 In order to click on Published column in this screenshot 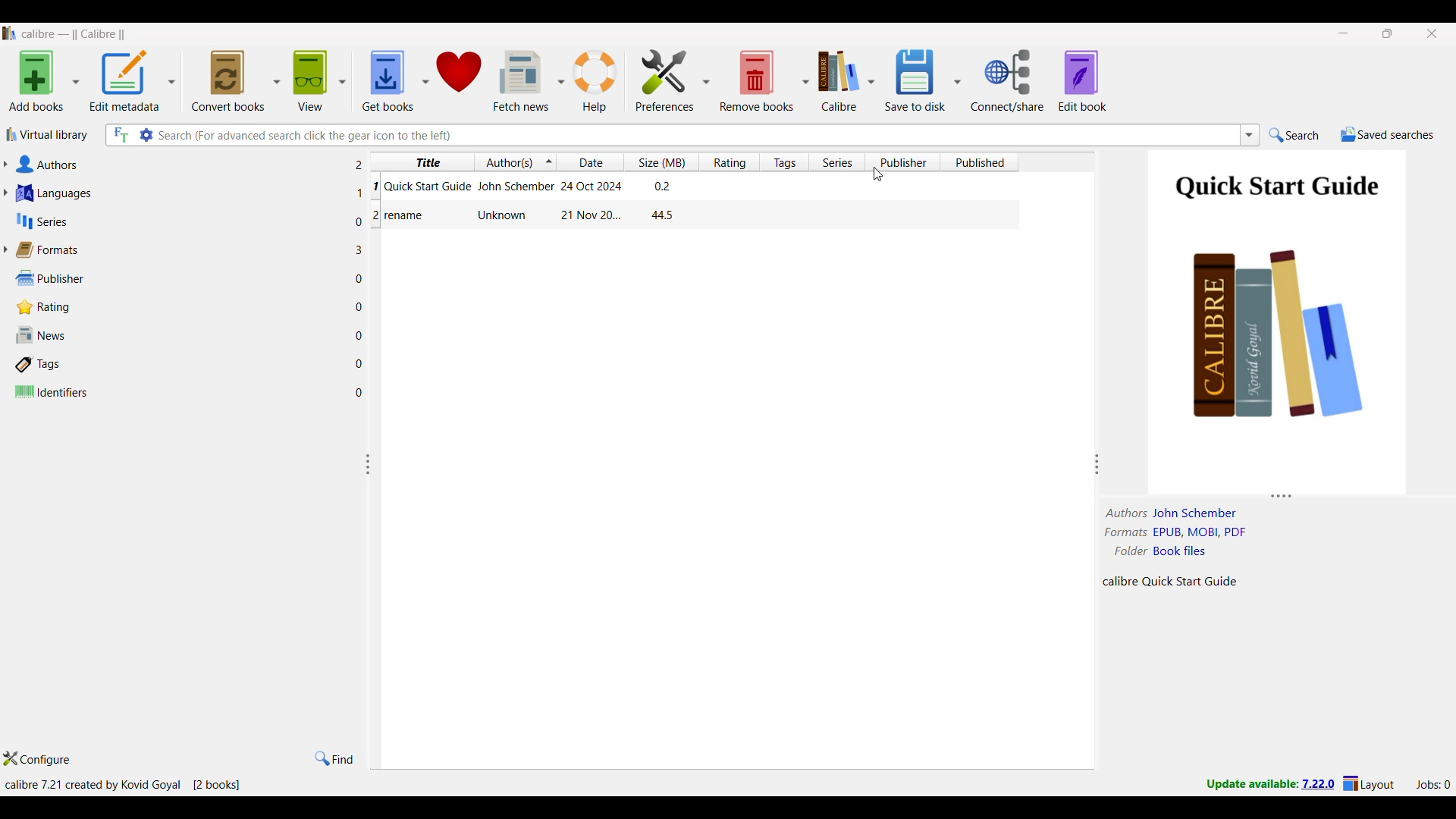, I will do `click(979, 162)`.